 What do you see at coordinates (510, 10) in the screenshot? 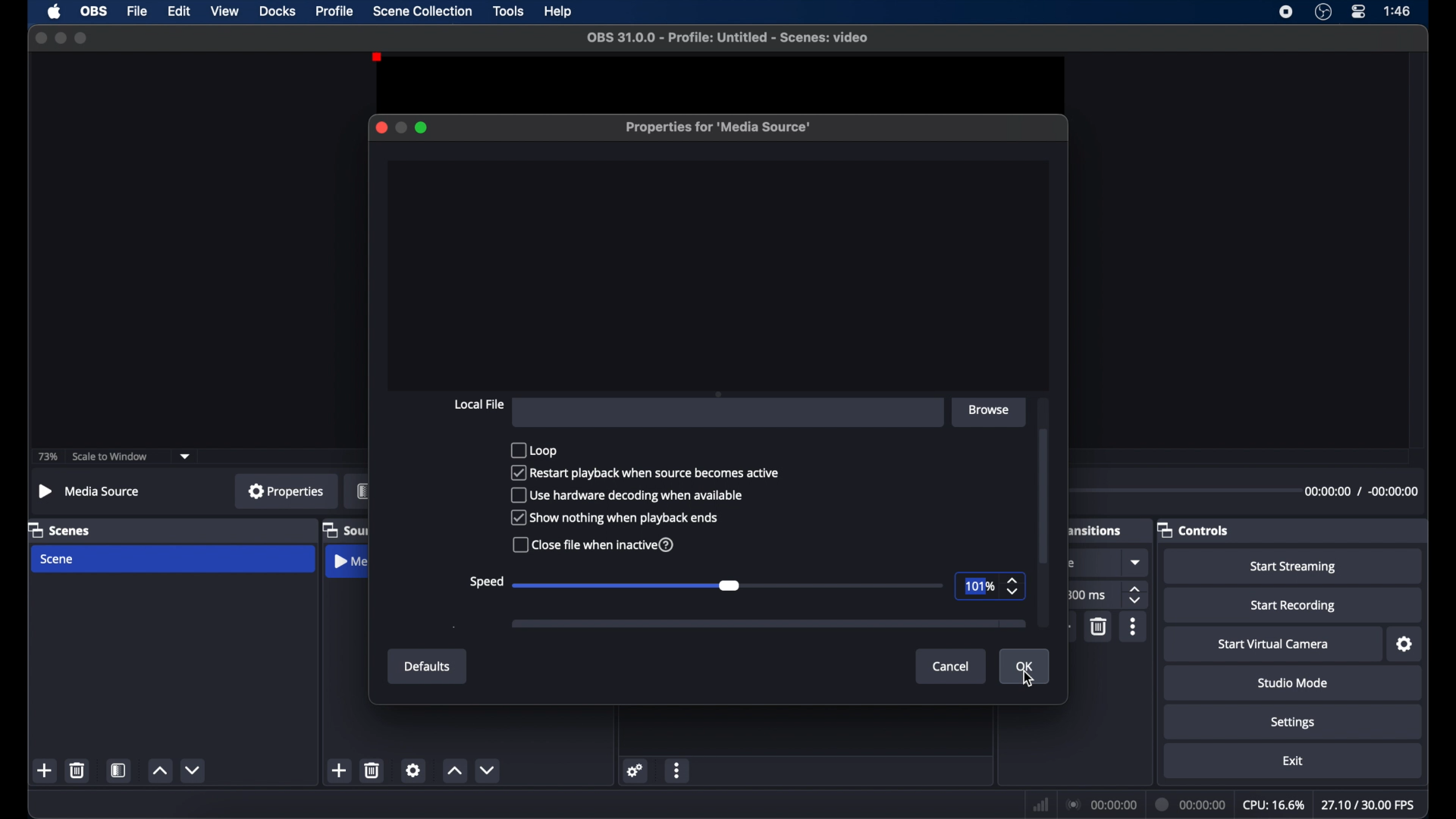
I see `tools` at bounding box center [510, 10].